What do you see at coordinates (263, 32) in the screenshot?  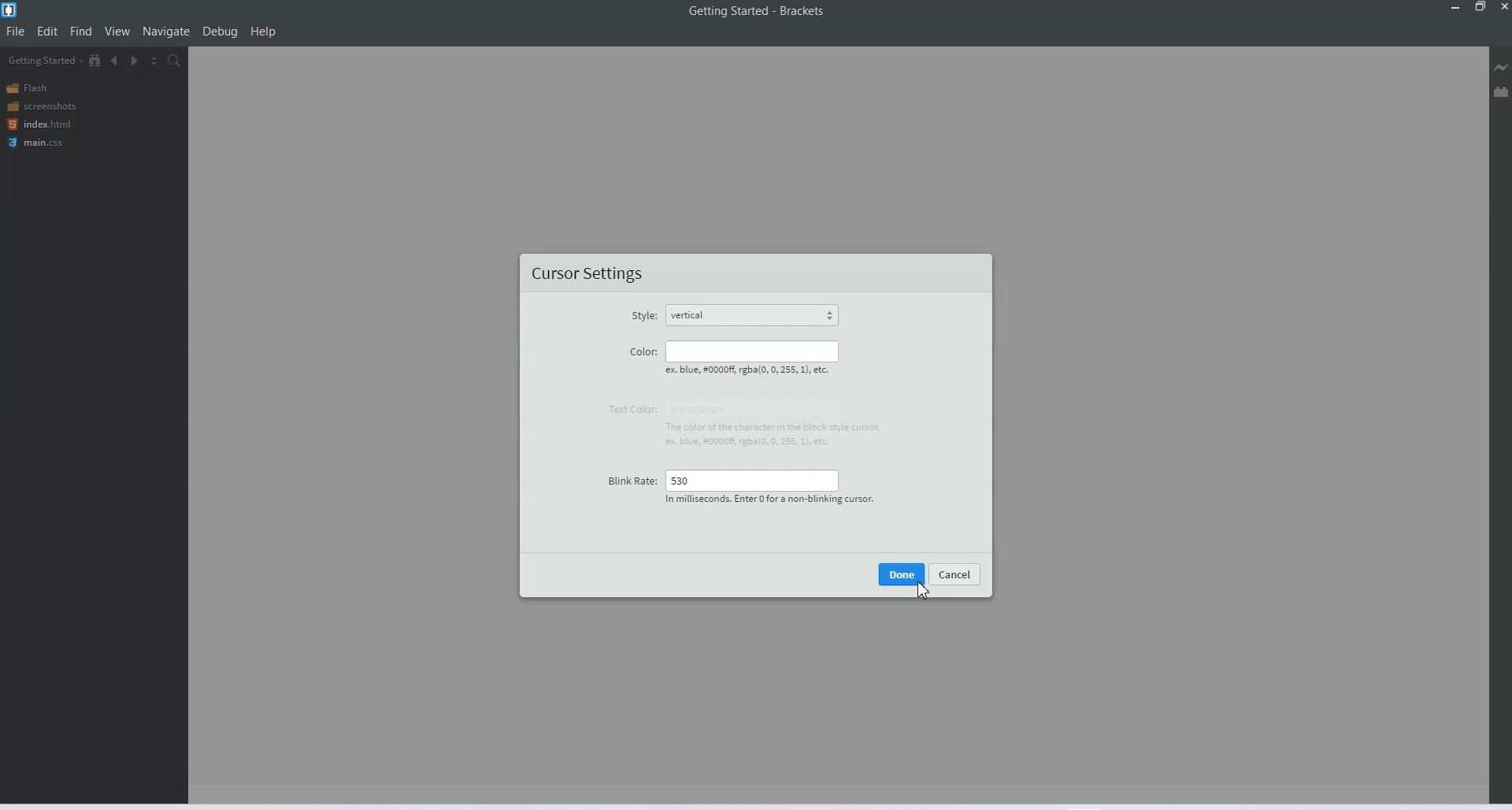 I see `Help` at bounding box center [263, 32].